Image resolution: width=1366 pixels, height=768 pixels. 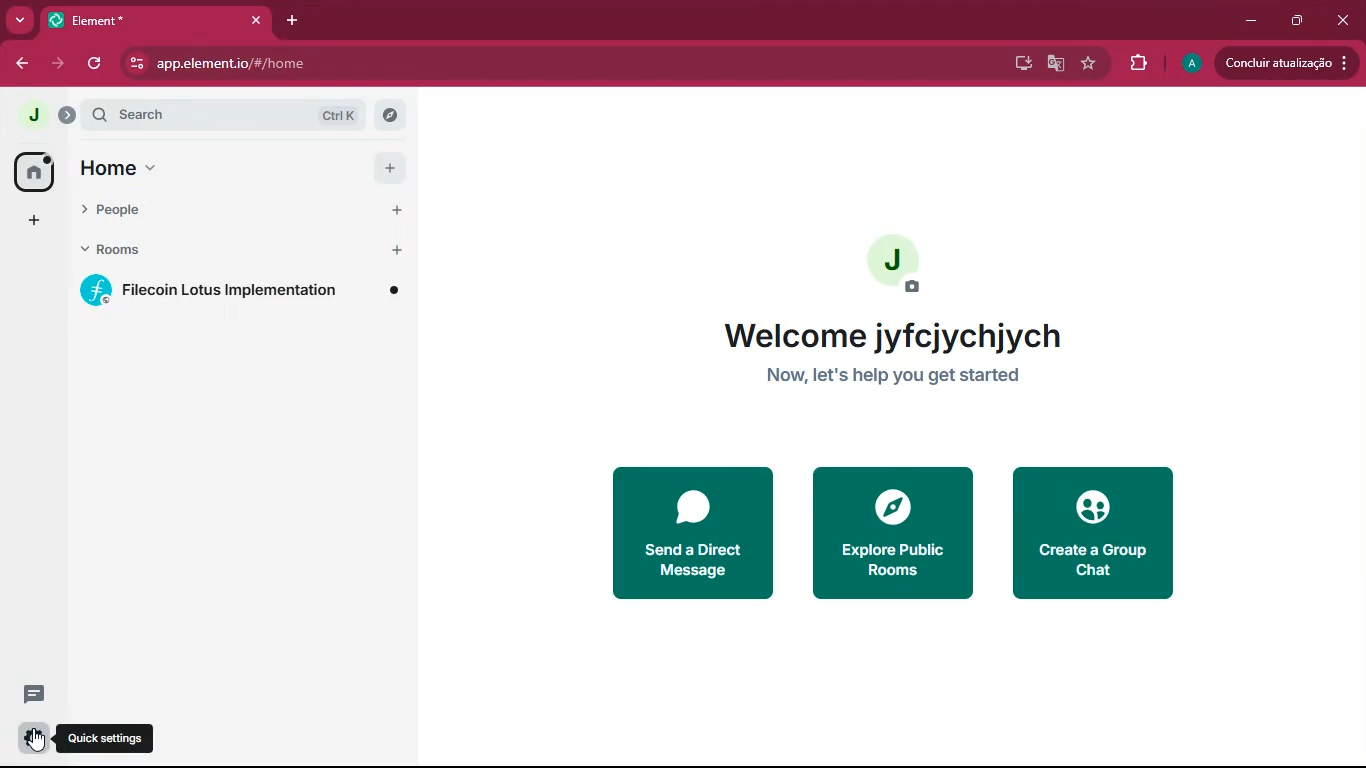 I want to click on element, so click(x=159, y=19).